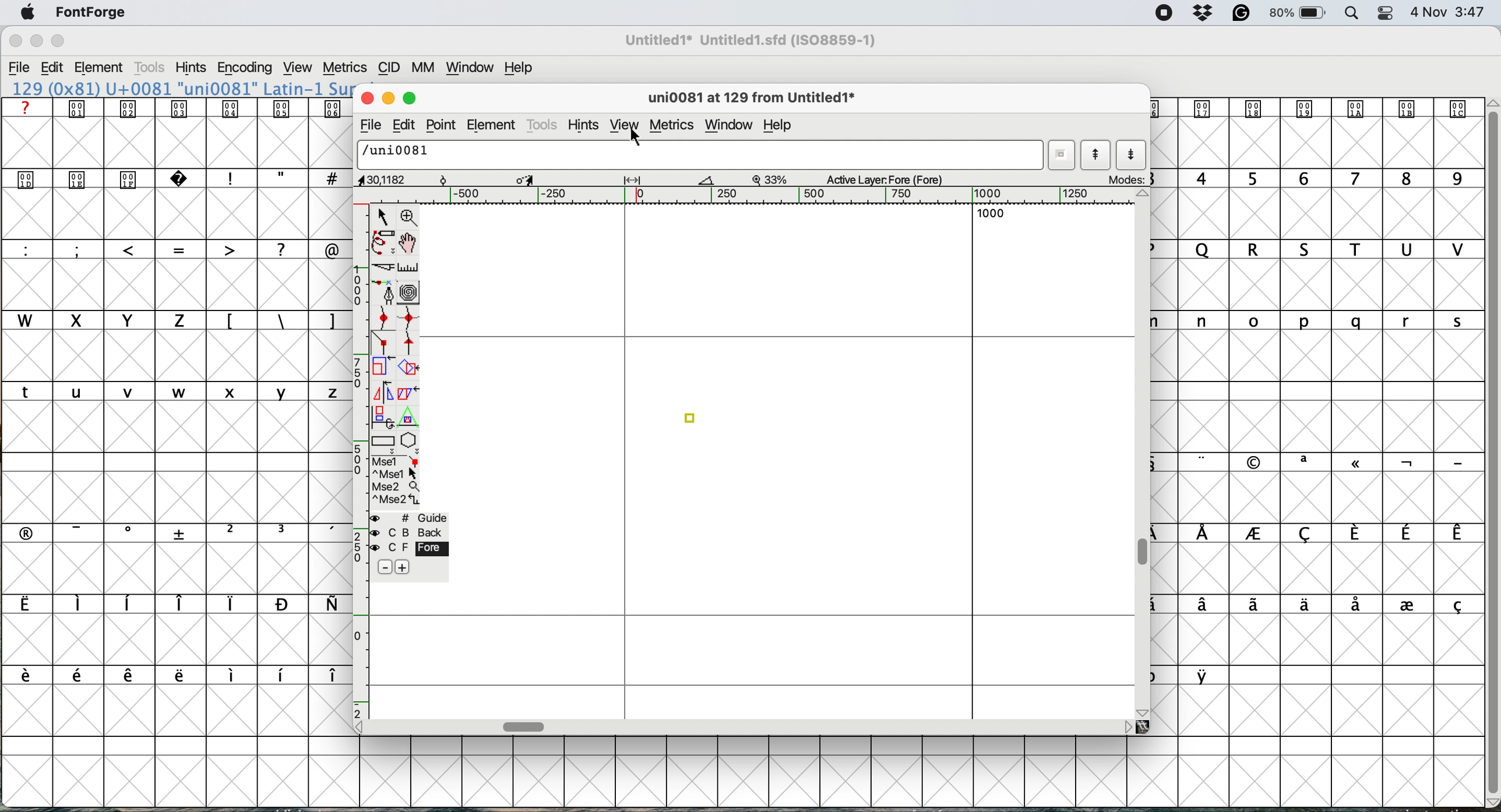 The image size is (1501, 812). I want to click on vertical scroll bar, so click(1146, 550).